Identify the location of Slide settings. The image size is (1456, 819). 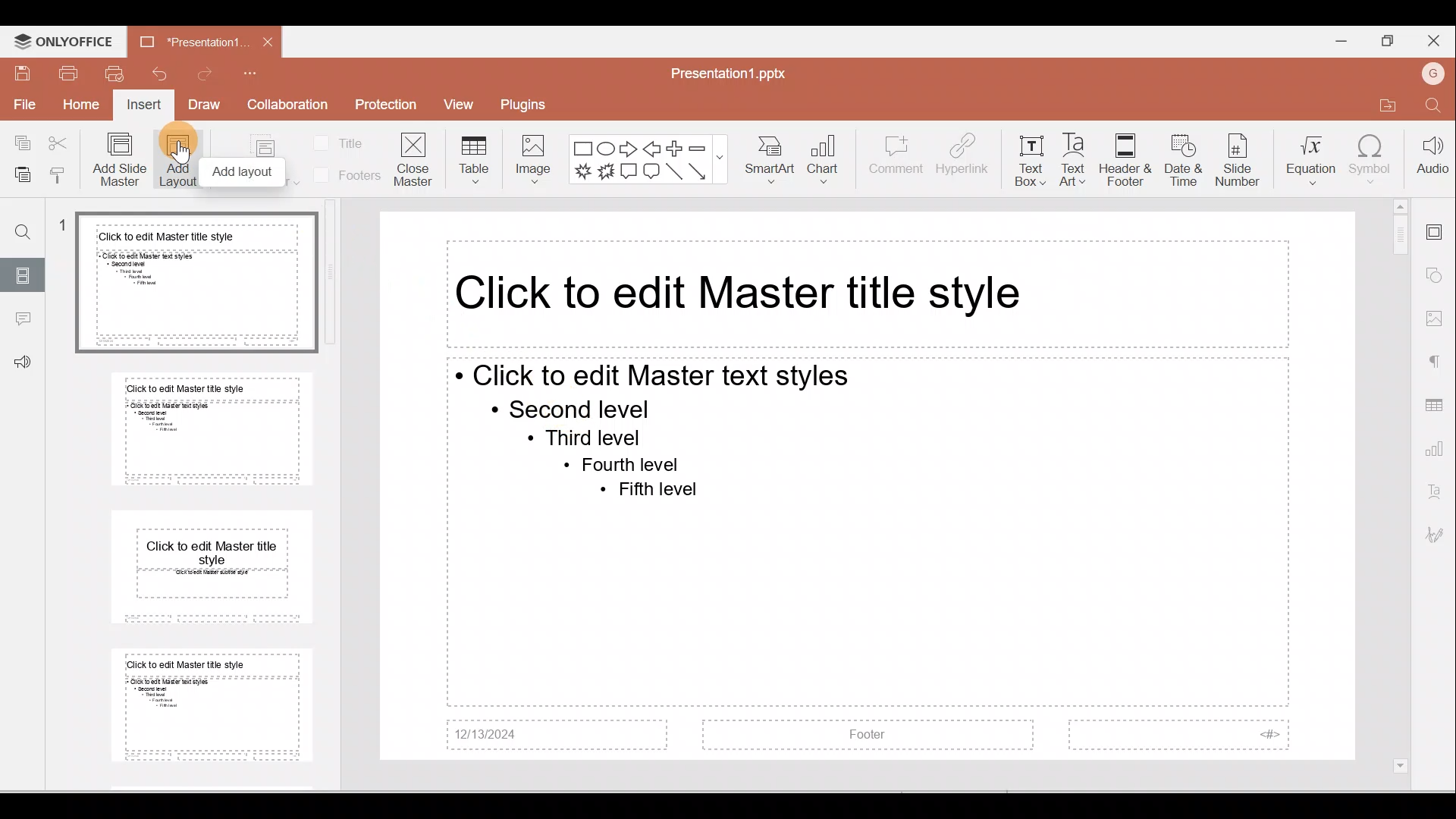
(1437, 227).